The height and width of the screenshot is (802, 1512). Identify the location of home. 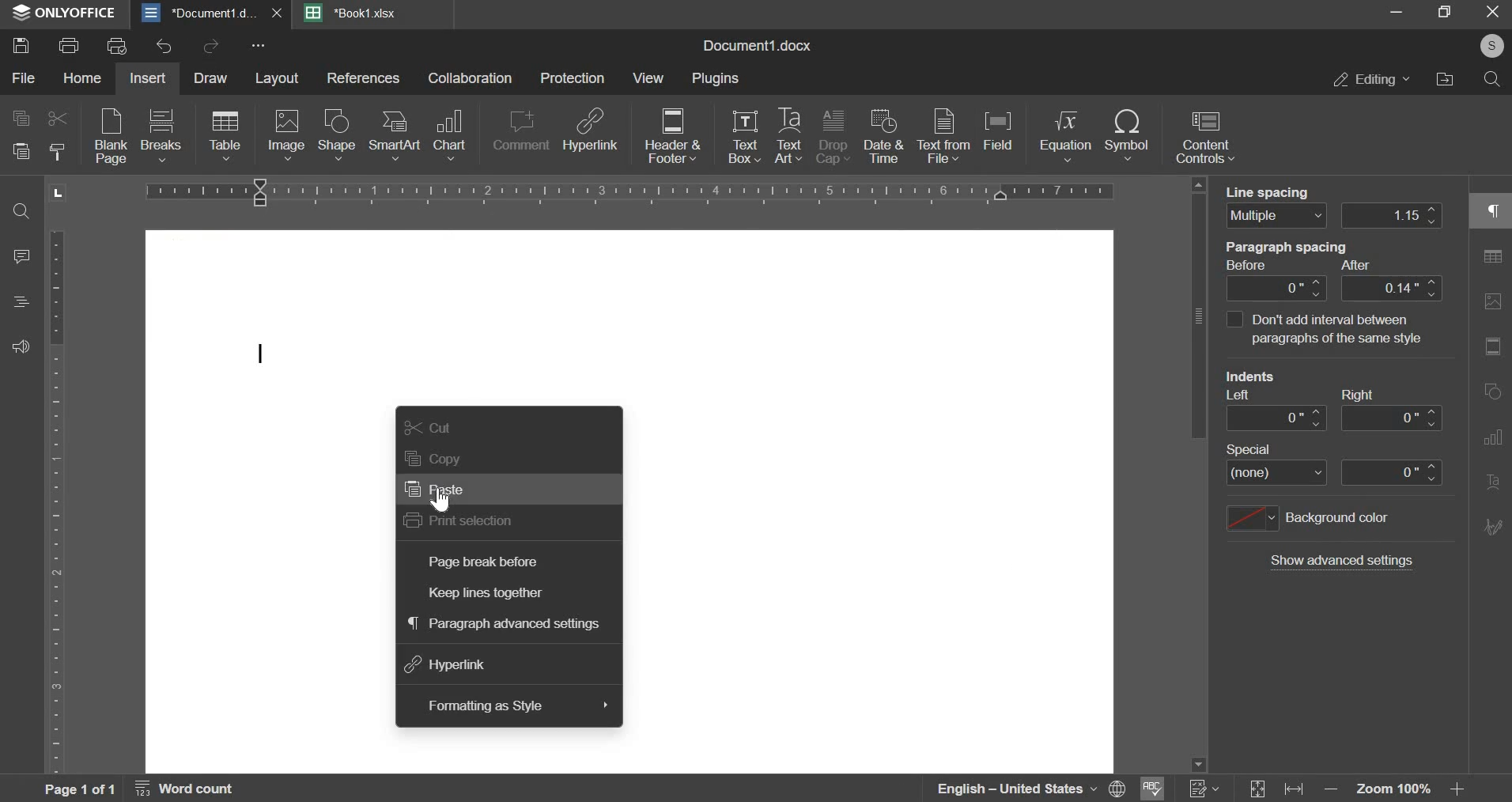
(81, 78).